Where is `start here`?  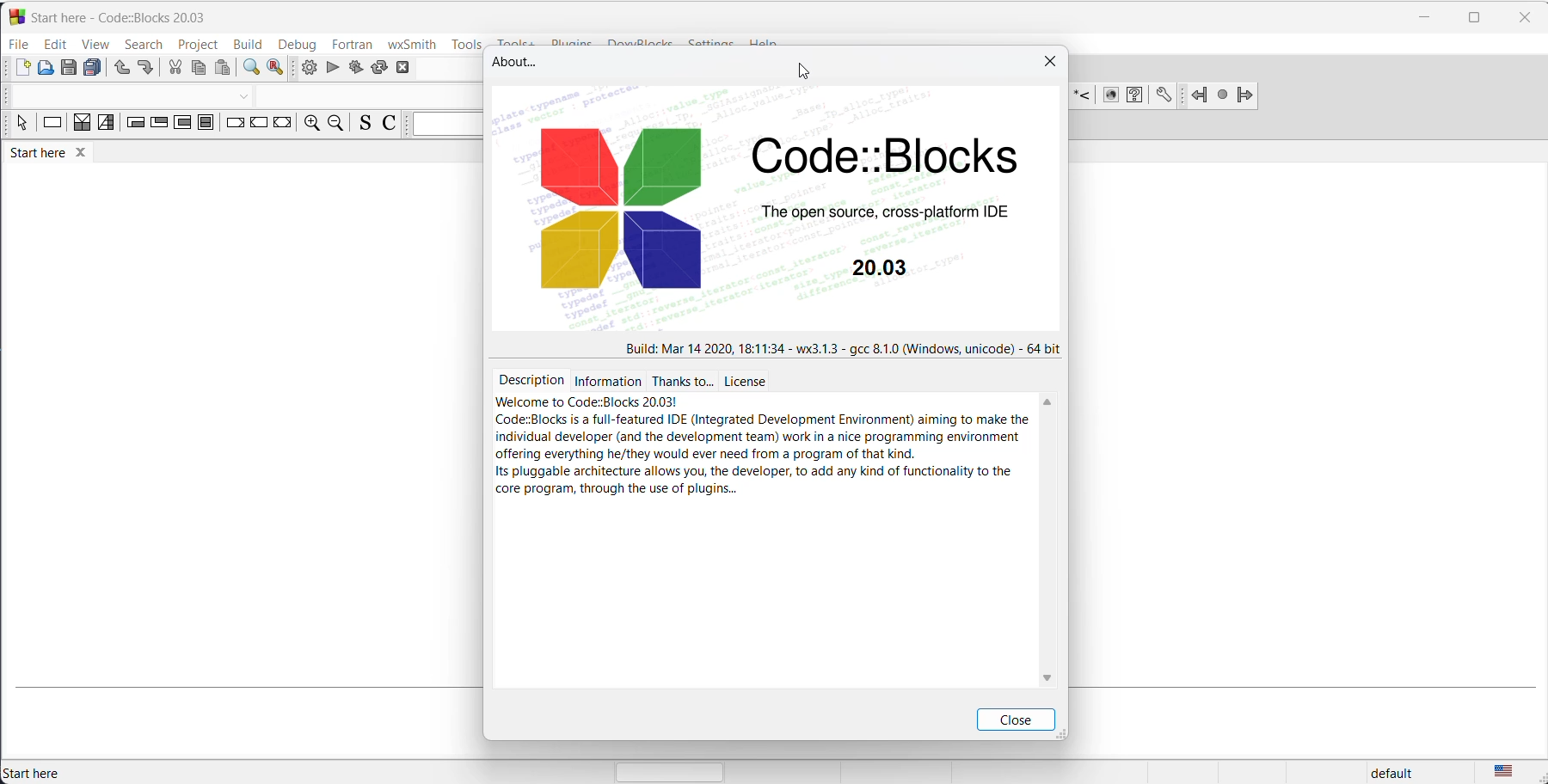 start here is located at coordinates (55, 156).